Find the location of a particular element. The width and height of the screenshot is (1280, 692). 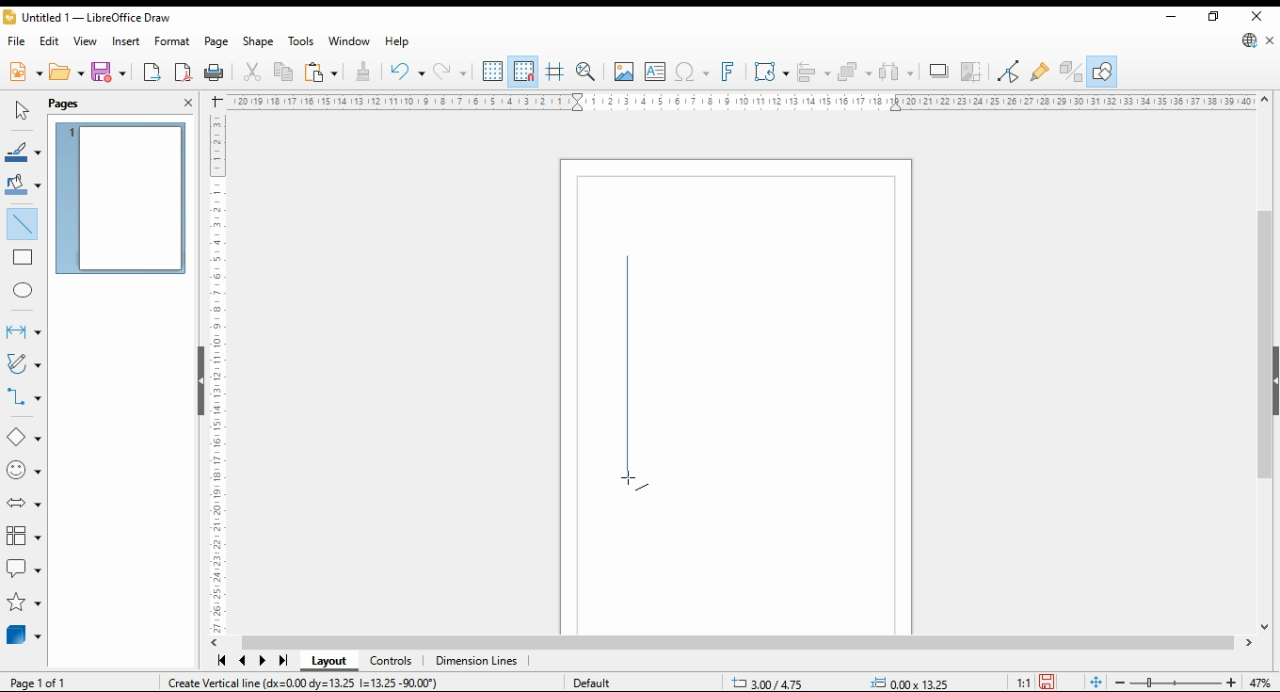

insert special characters is located at coordinates (692, 72).